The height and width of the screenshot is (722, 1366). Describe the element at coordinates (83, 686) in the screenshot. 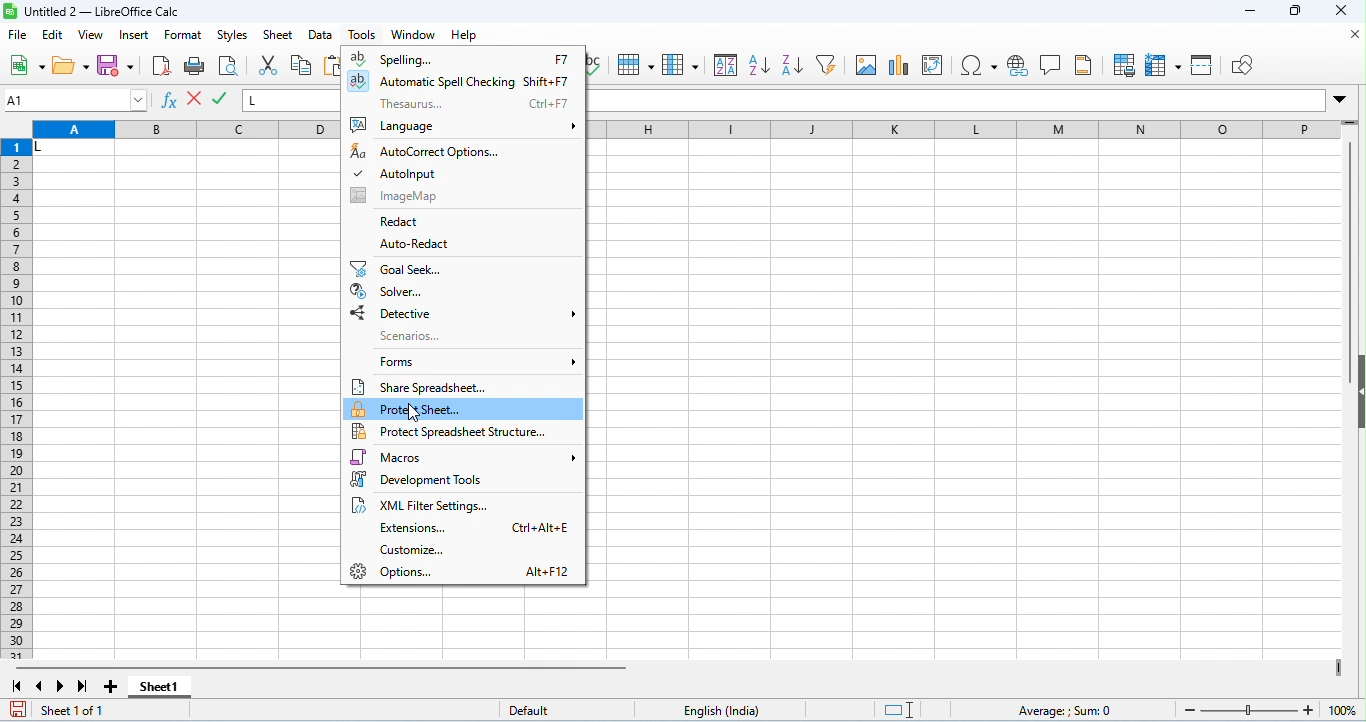

I see `last sheet` at that location.